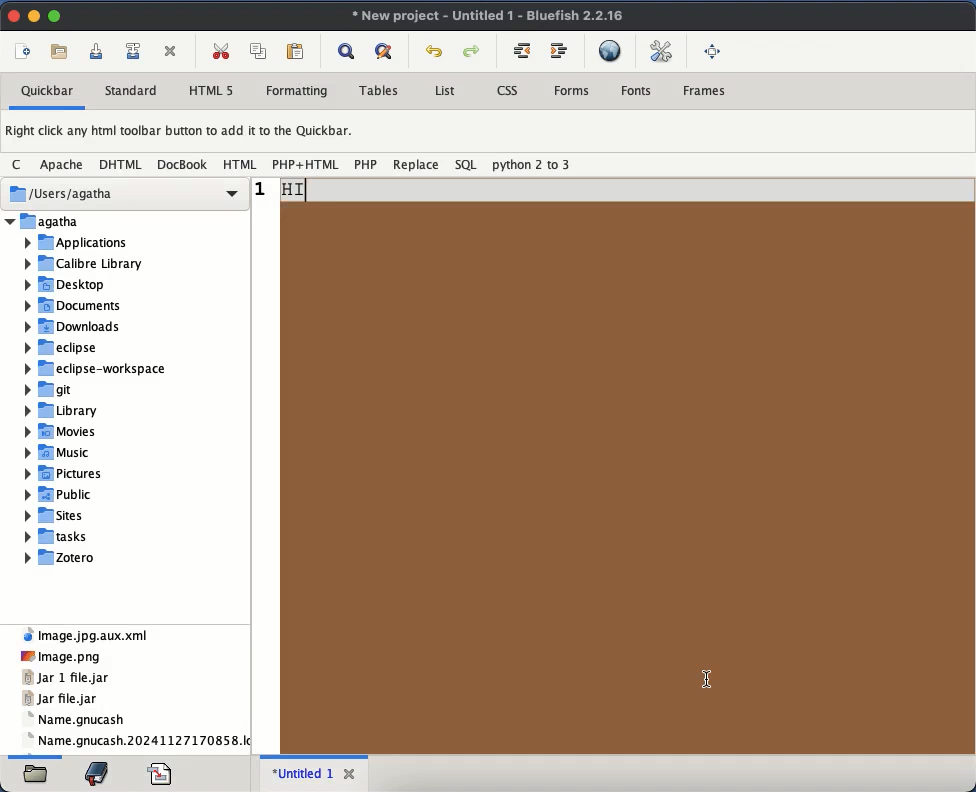 This screenshot has width=976, height=792. What do you see at coordinates (85, 264) in the screenshot?
I see `Calibre Library` at bounding box center [85, 264].